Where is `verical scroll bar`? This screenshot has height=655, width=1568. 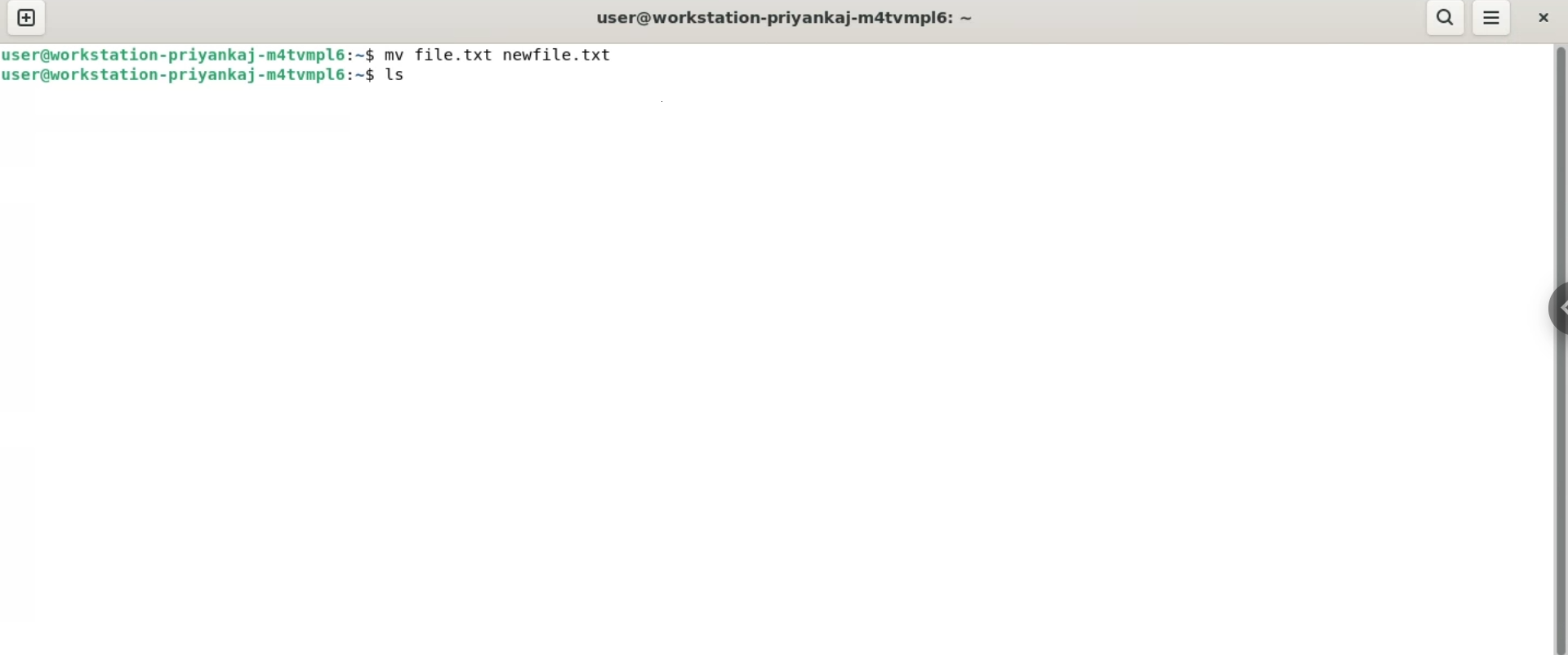 verical scroll bar is located at coordinates (1560, 348).